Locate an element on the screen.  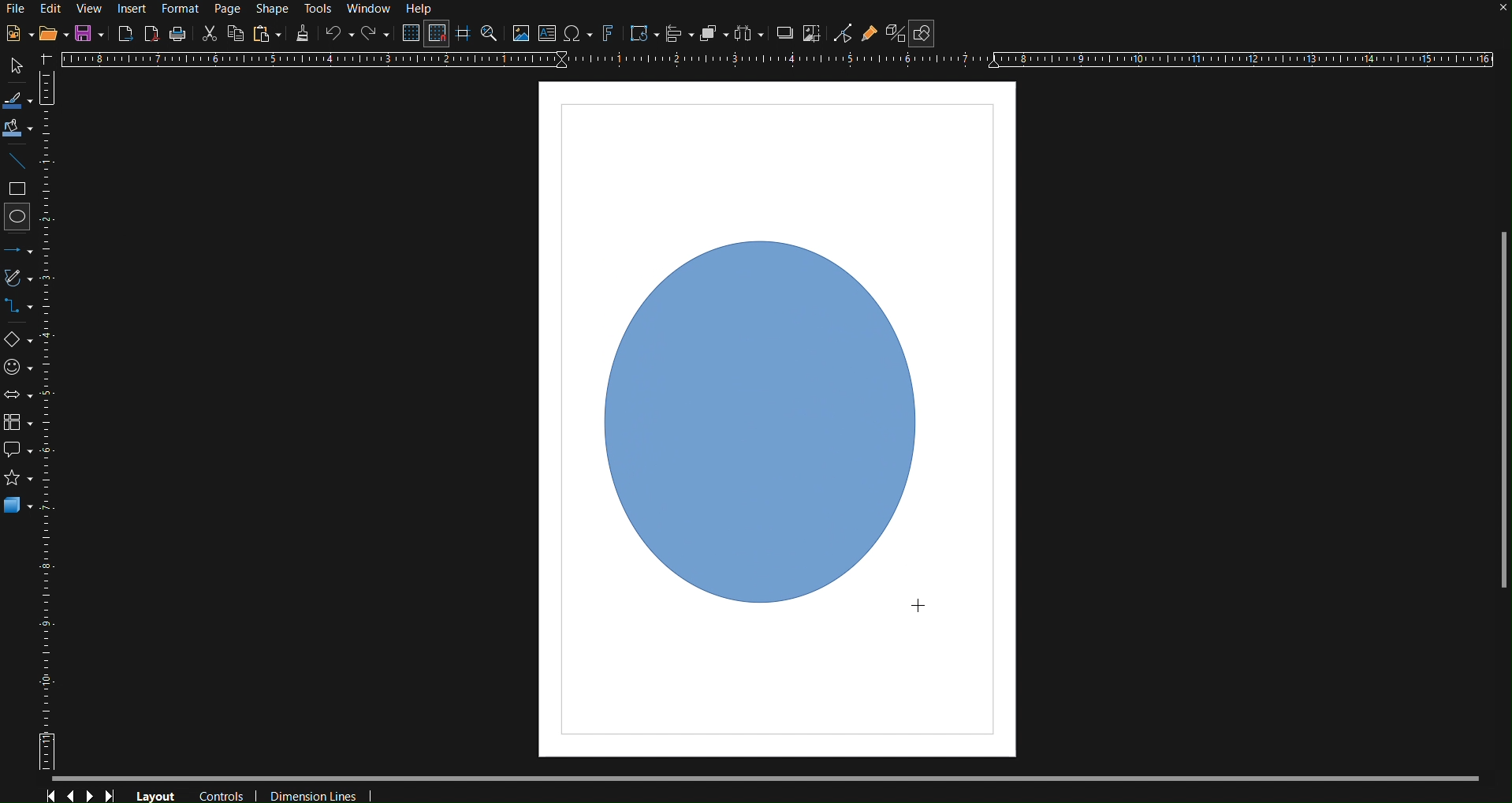
New is located at coordinates (15, 35).